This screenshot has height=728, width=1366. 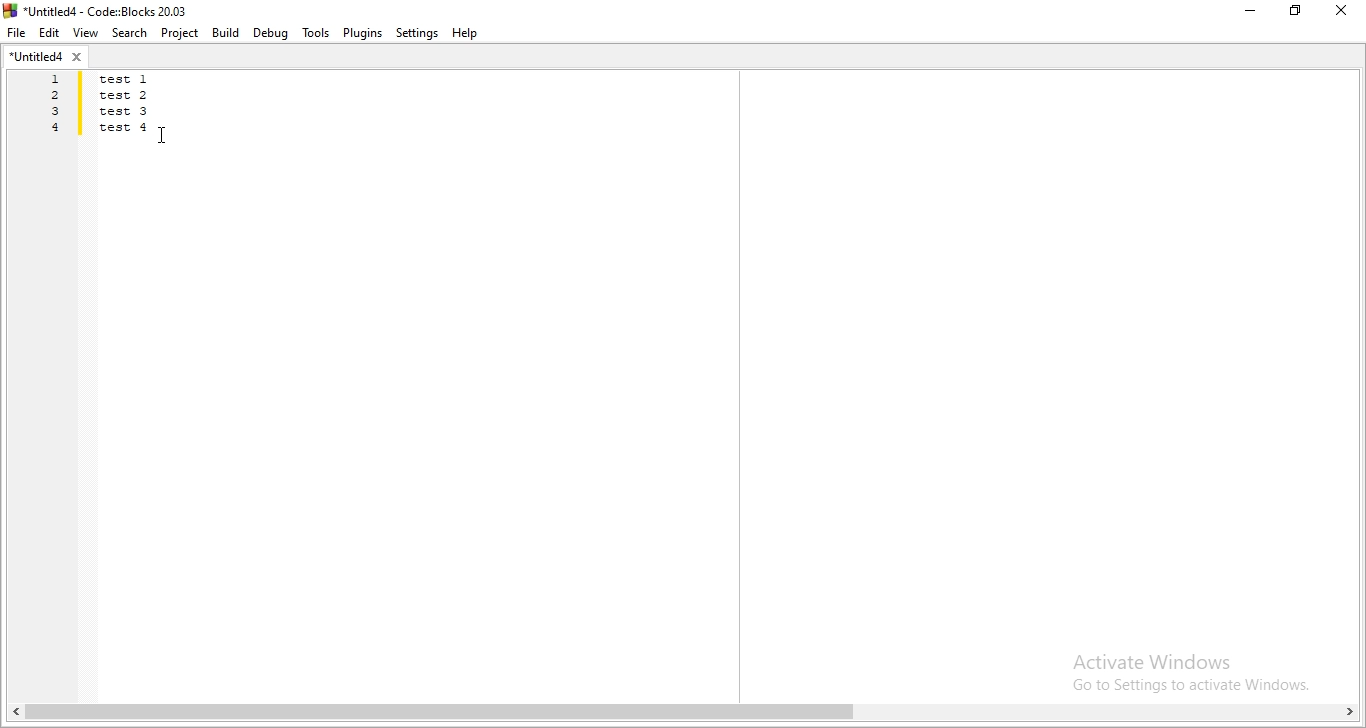 I want to click on View , so click(x=83, y=33).